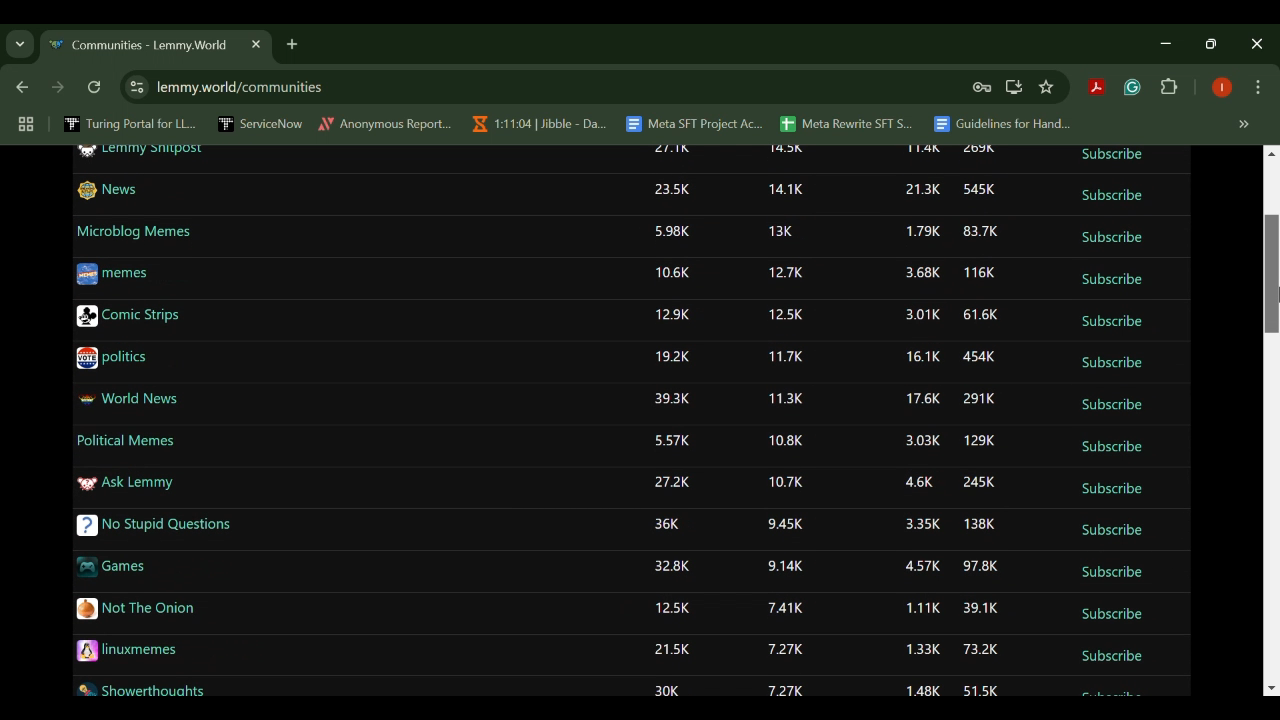 This screenshot has width=1280, height=720. What do you see at coordinates (1110, 530) in the screenshot?
I see `Subscribe` at bounding box center [1110, 530].